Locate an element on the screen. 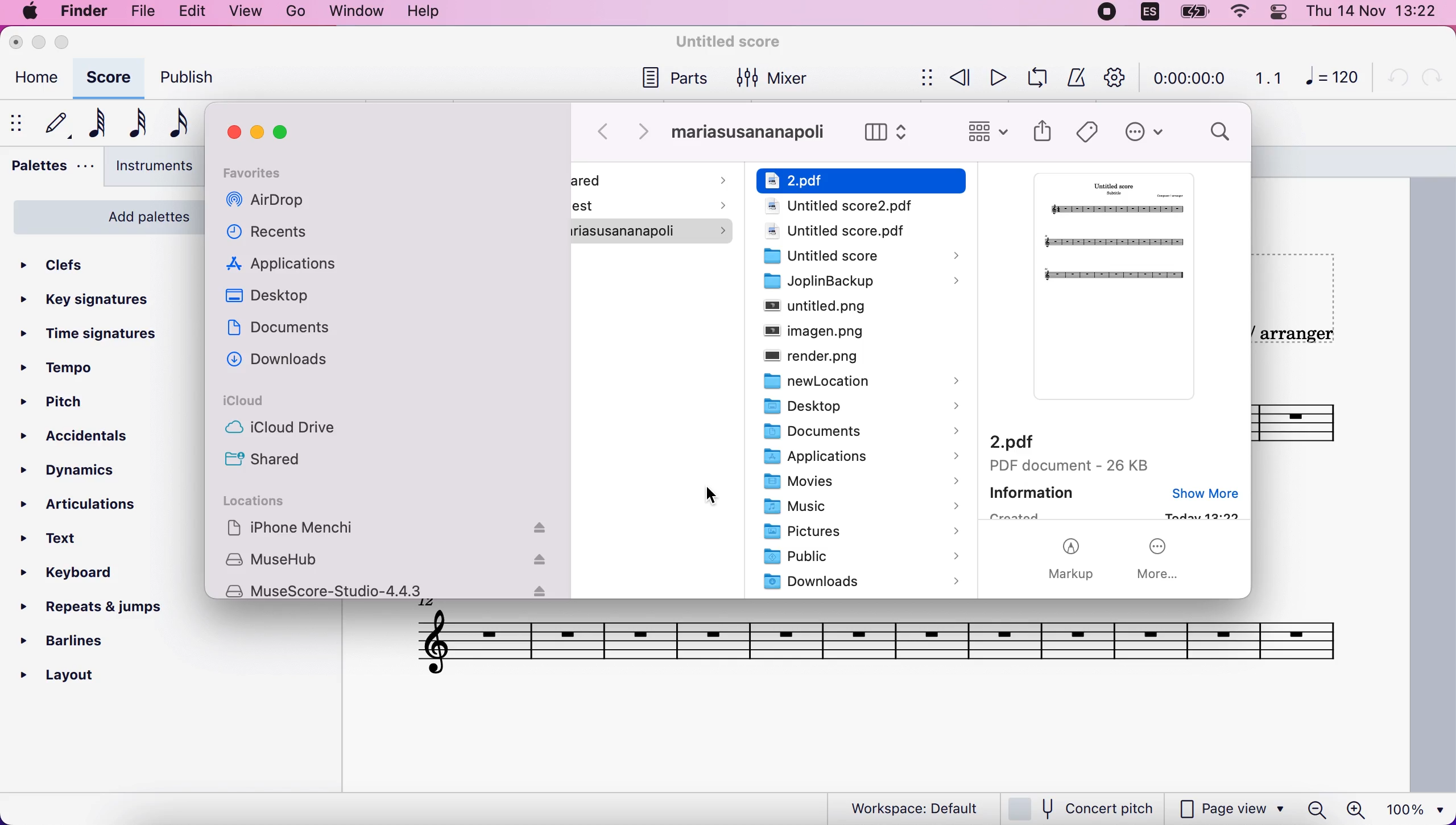 This screenshot has height=825, width=1456. cursor is located at coordinates (714, 499).